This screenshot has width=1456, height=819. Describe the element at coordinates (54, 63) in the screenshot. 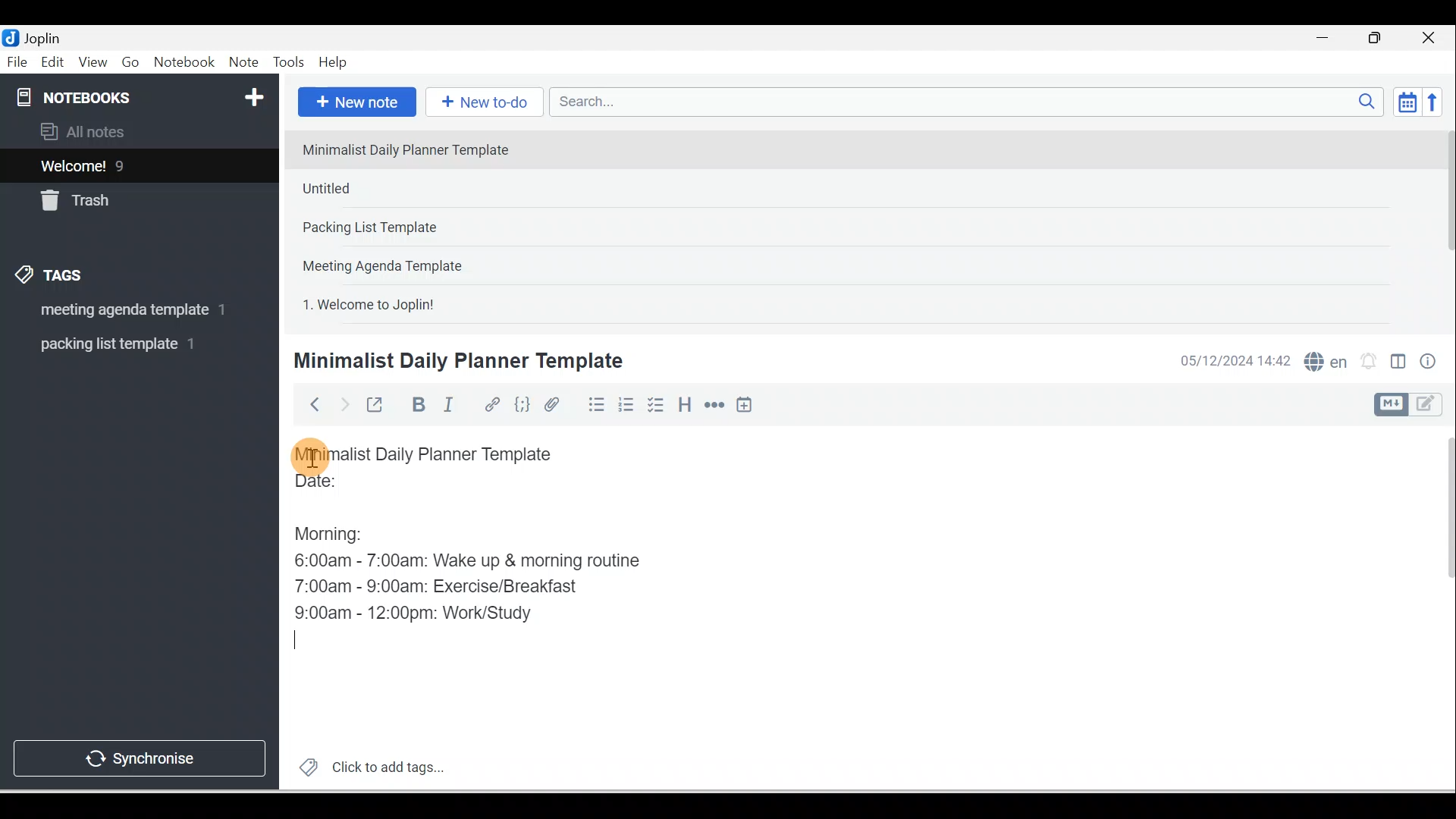

I see `Edit` at that location.